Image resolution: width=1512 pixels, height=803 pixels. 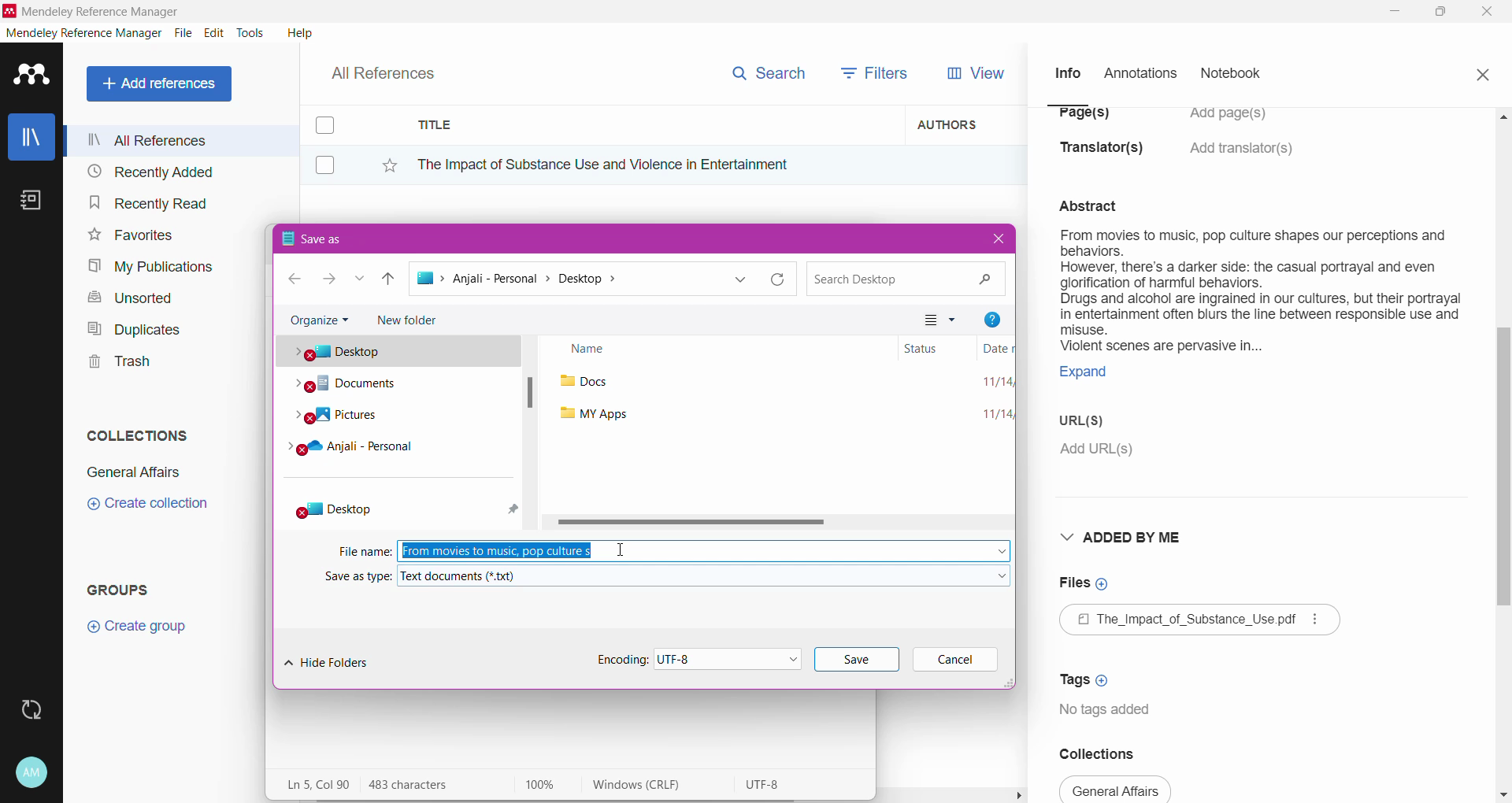 I want to click on Click to Create Collection, so click(x=147, y=506).